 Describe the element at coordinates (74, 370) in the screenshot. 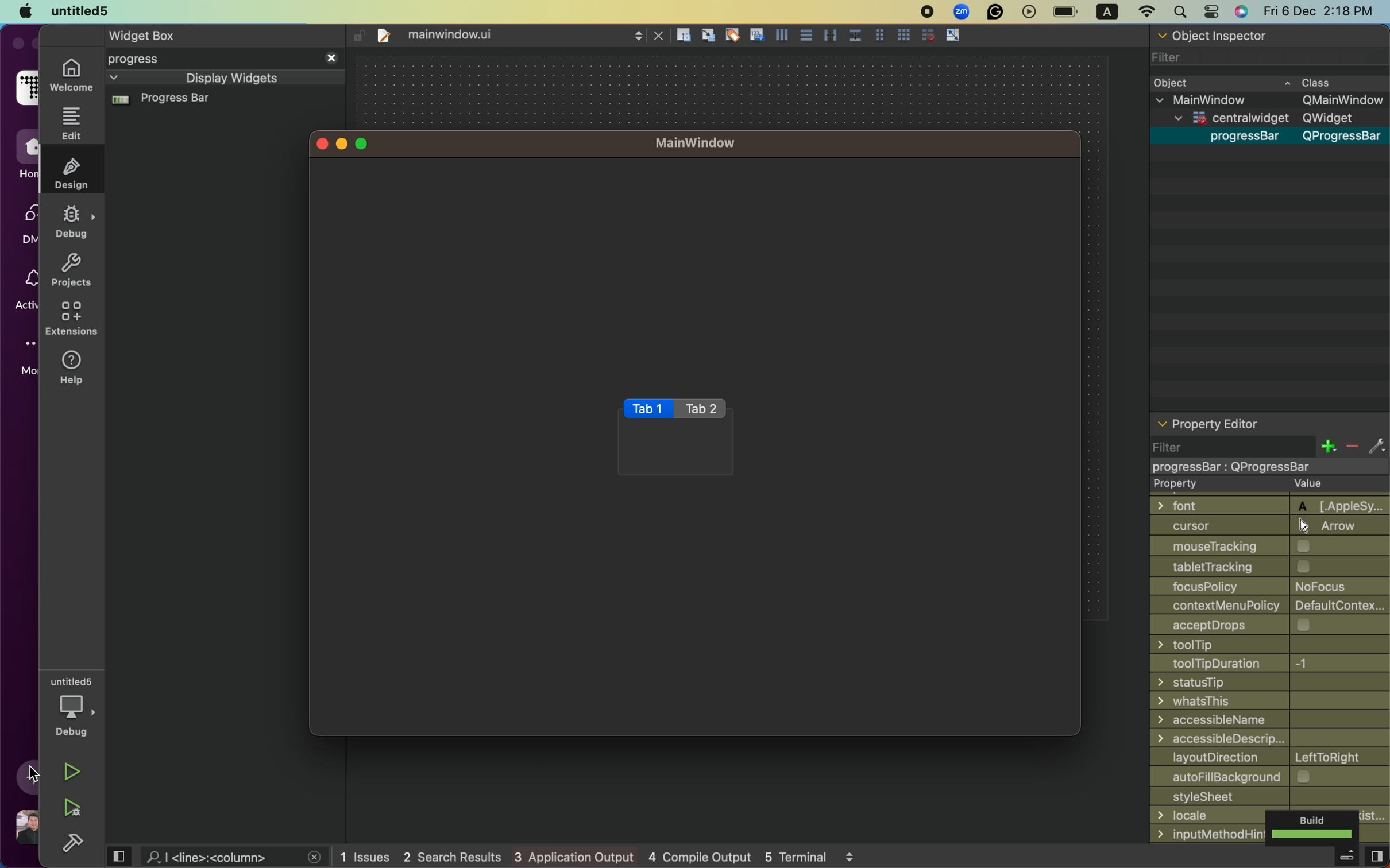

I see `help` at that location.